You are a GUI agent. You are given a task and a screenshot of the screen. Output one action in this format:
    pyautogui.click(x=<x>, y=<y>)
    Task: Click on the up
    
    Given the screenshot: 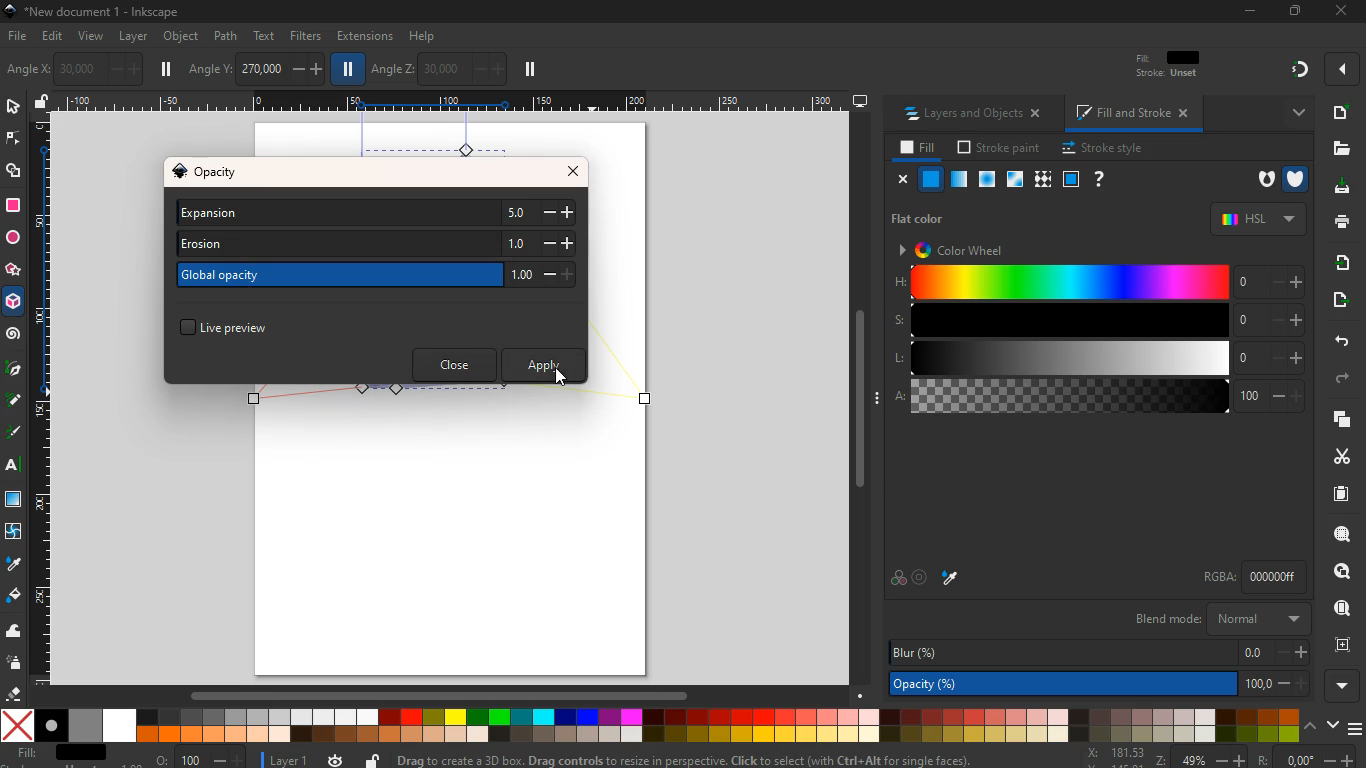 What is the action you would take?
    pyautogui.click(x=1311, y=727)
    